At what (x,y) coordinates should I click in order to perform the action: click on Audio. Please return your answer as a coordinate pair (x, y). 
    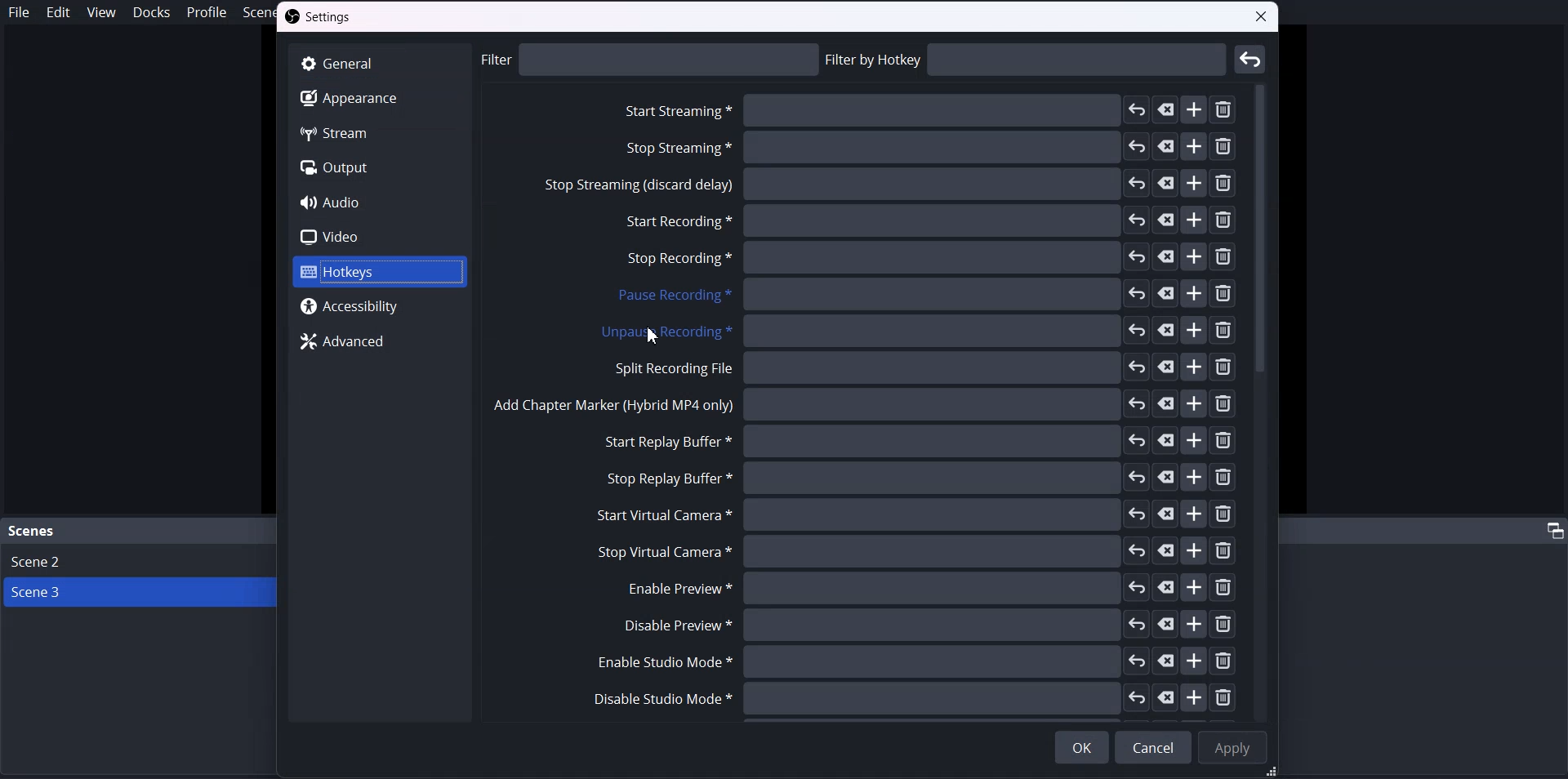
    Looking at the image, I should click on (379, 202).